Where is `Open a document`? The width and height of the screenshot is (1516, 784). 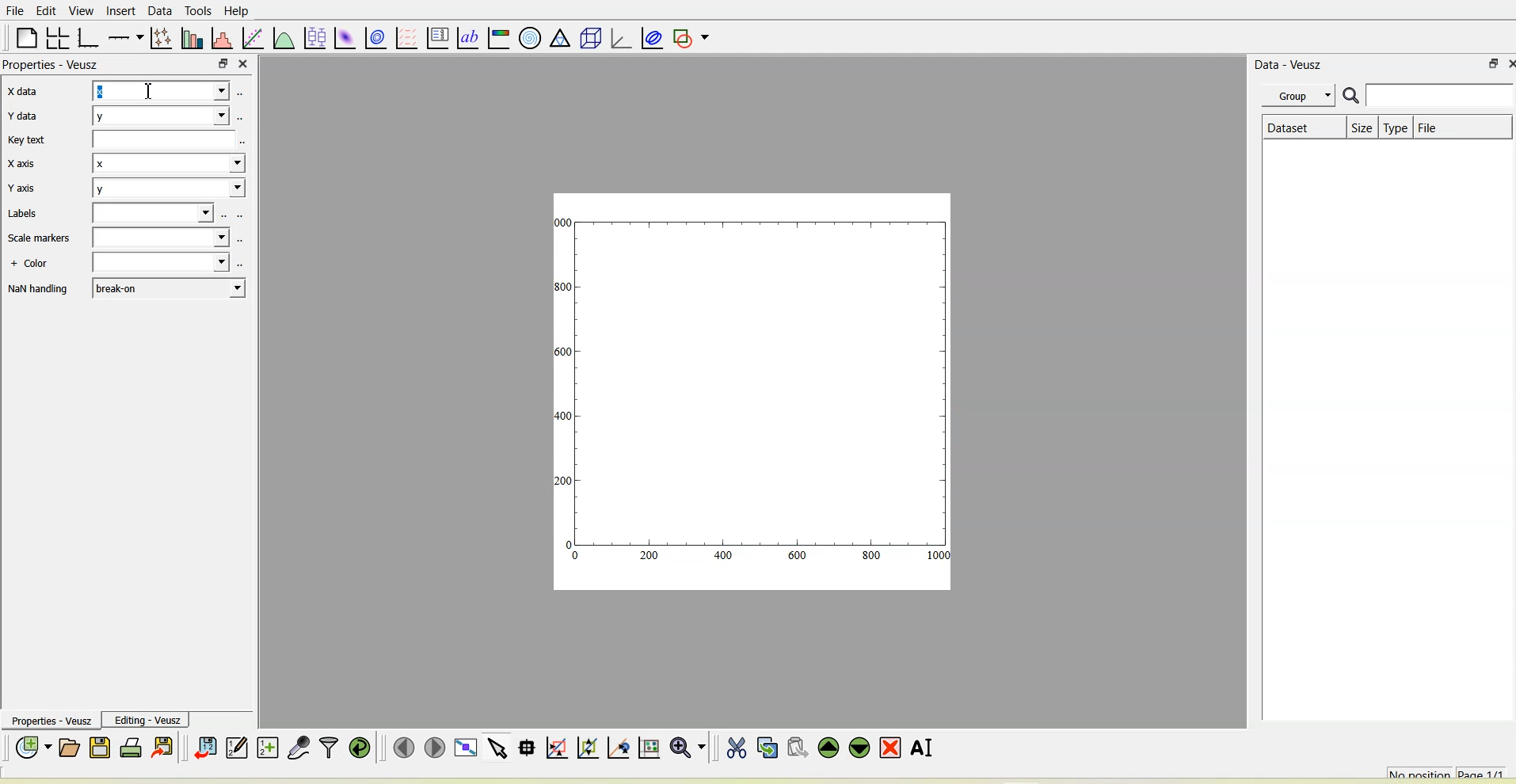
Open a document is located at coordinates (70, 748).